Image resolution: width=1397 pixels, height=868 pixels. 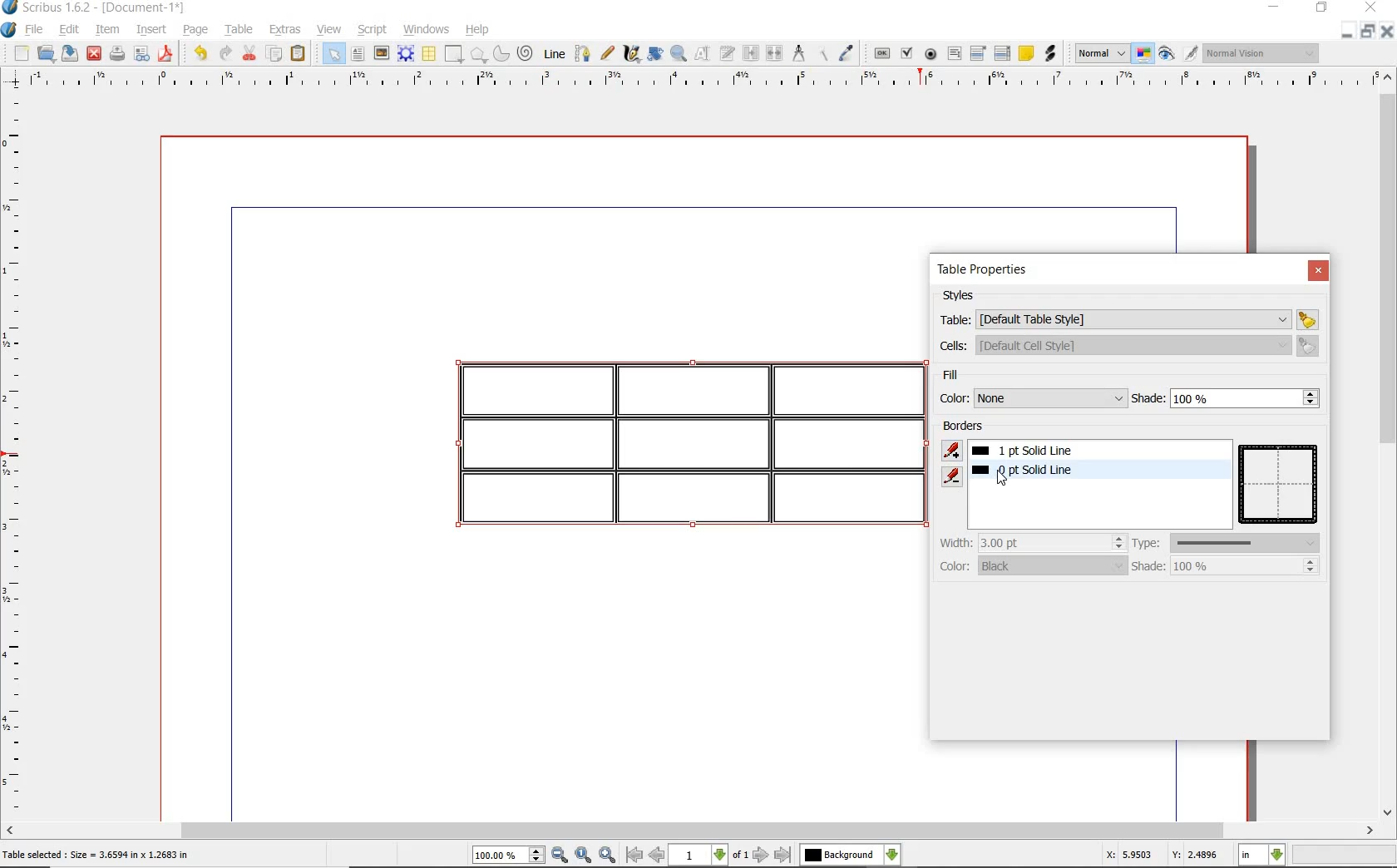 What do you see at coordinates (452, 55) in the screenshot?
I see `shape` at bounding box center [452, 55].